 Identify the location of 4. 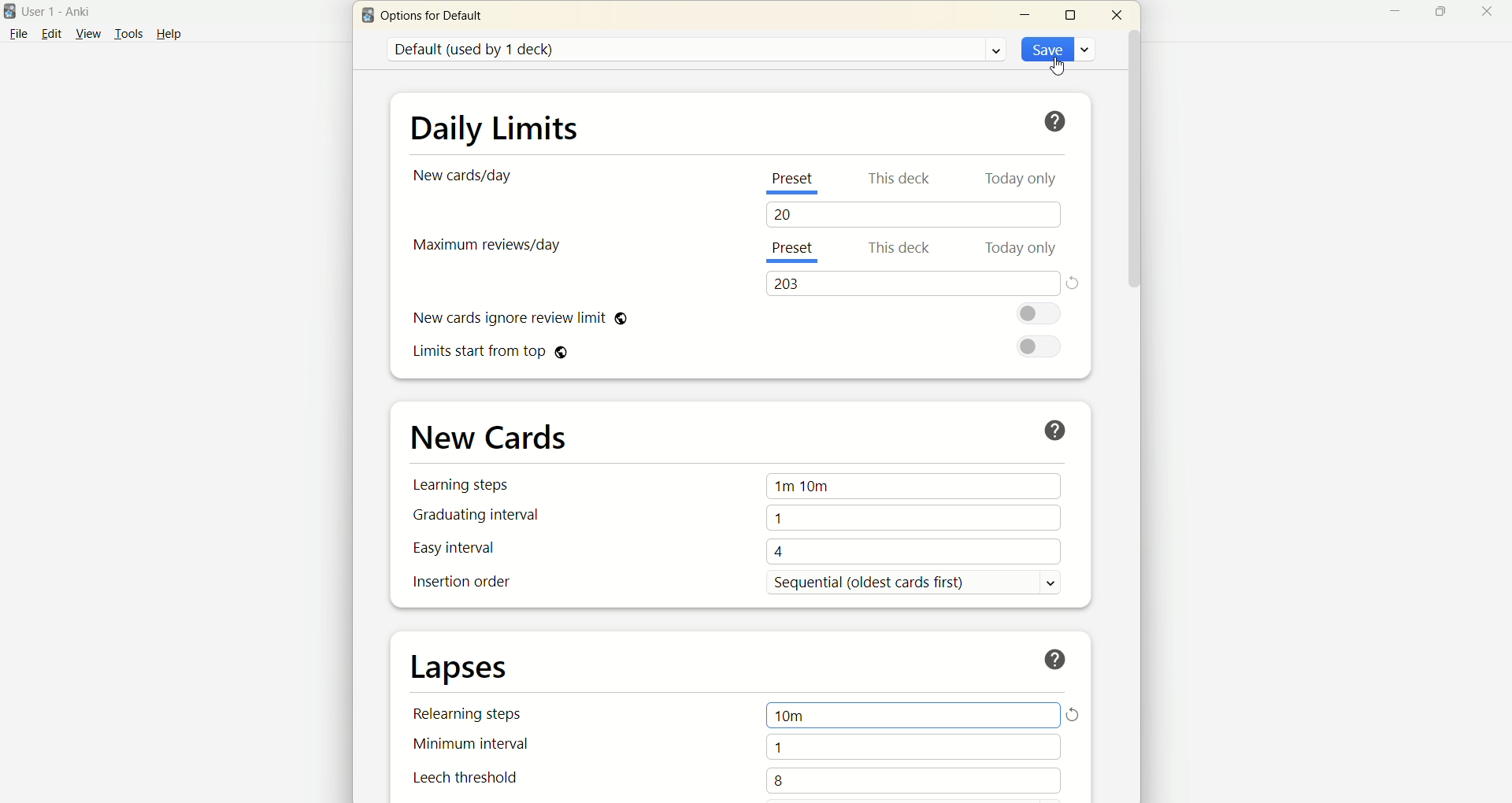
(915, 550).